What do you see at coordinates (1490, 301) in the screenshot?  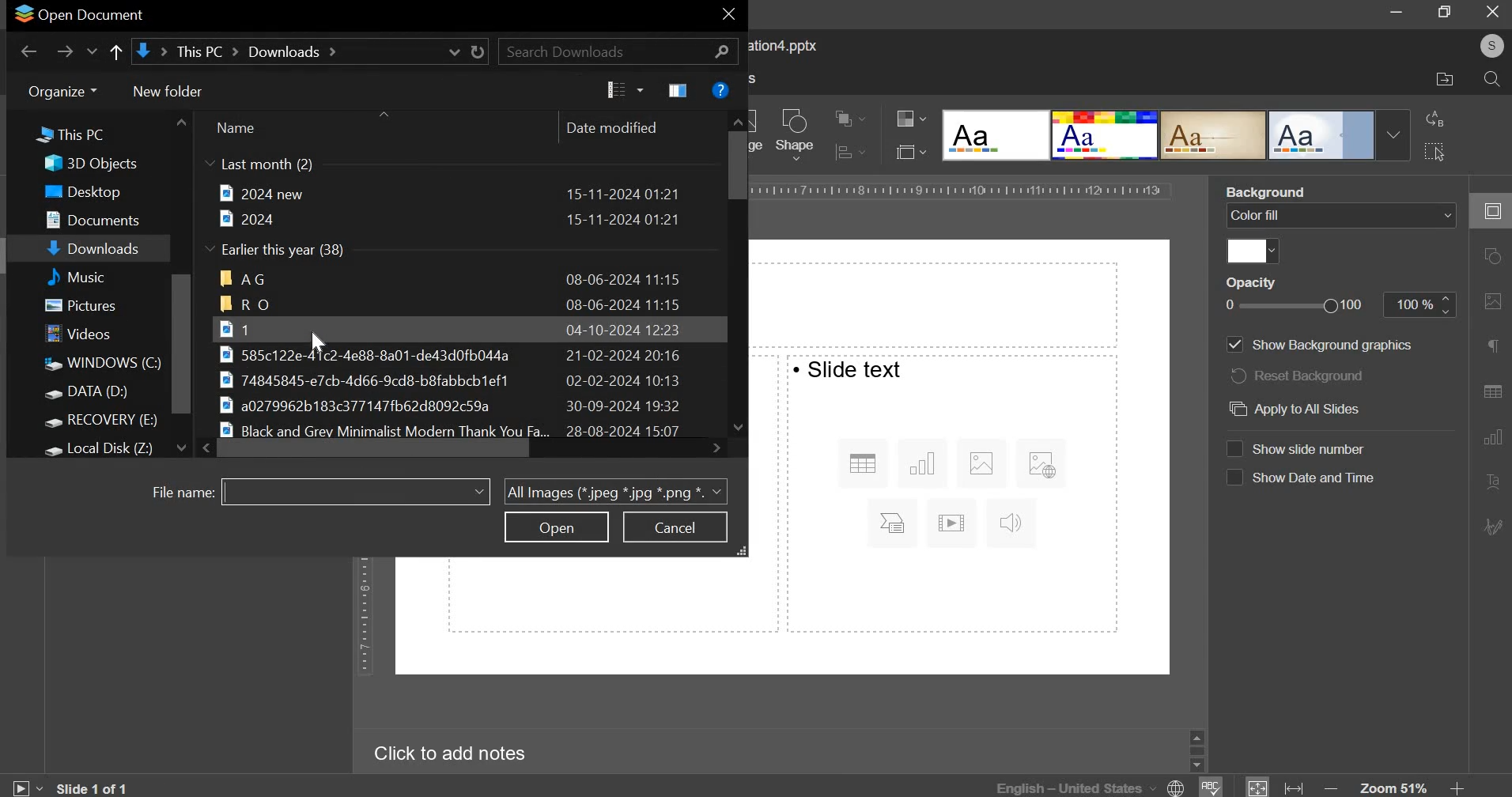 I see `image setting` at bounding box center [1490, 301].